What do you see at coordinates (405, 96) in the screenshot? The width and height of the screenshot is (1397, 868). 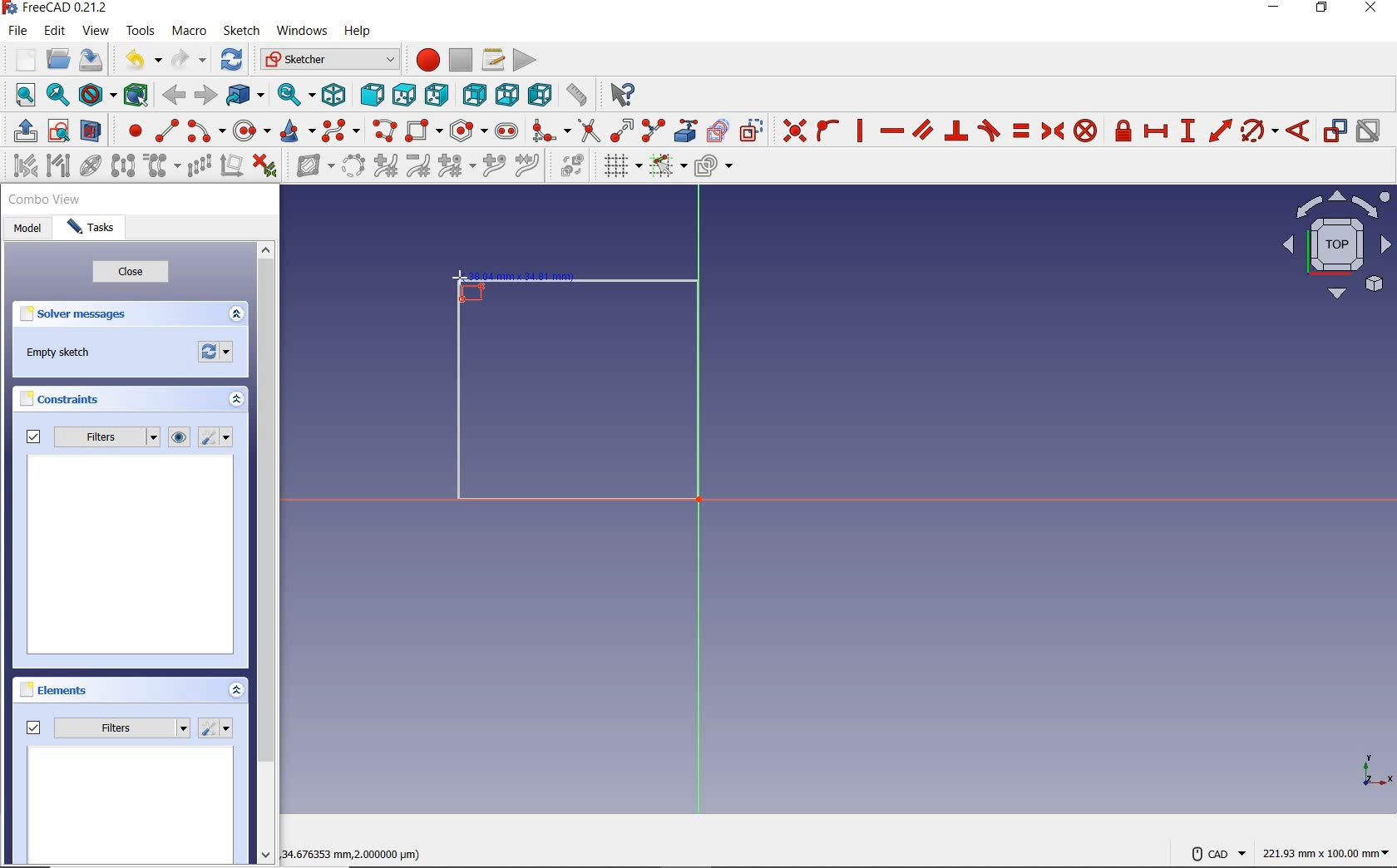 I see `top` at bounding box center [405, 96].